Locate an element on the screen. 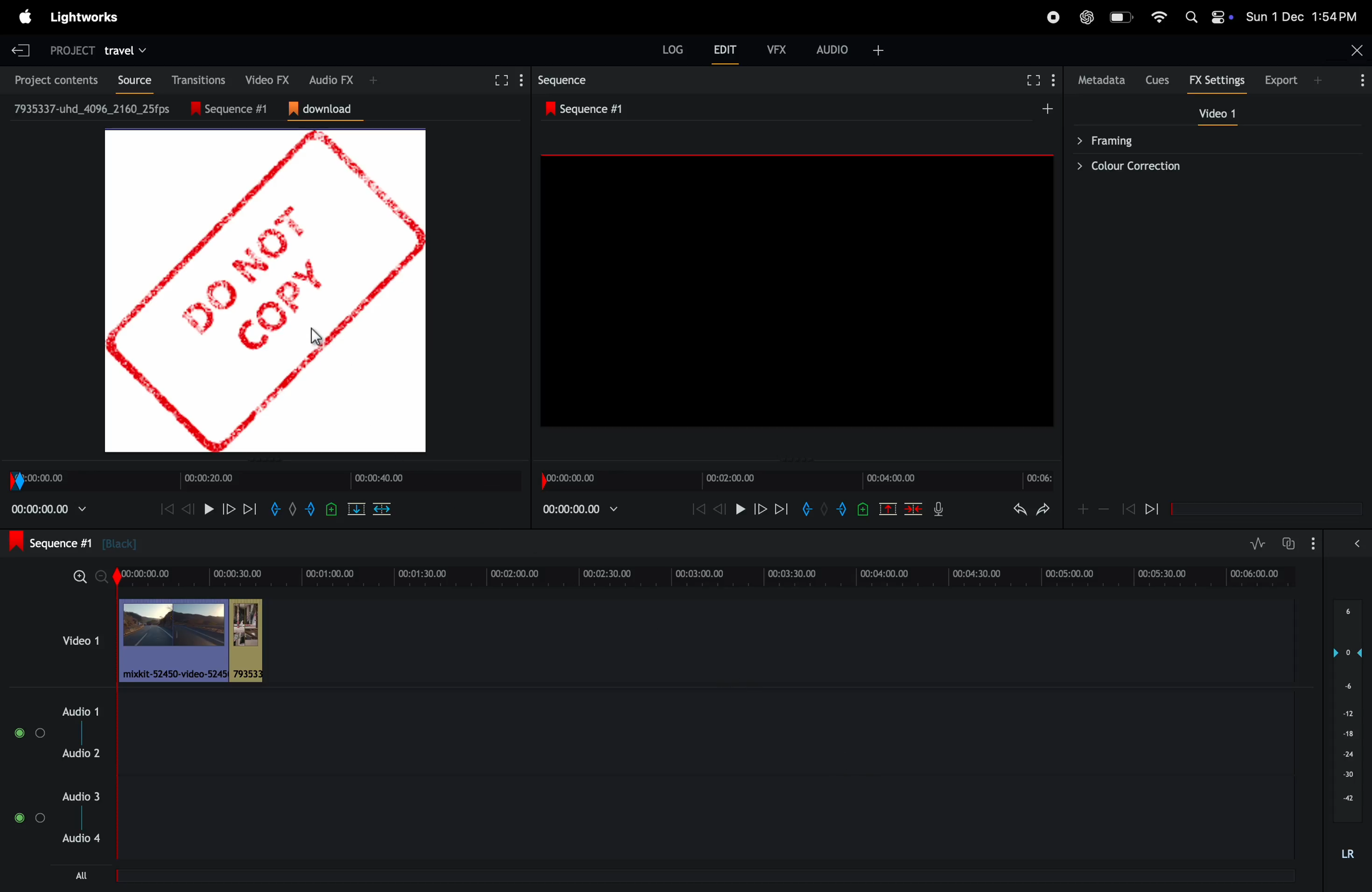 This screenshot has height=892, width=1372. meta data is located at coordinates (1102, 80).